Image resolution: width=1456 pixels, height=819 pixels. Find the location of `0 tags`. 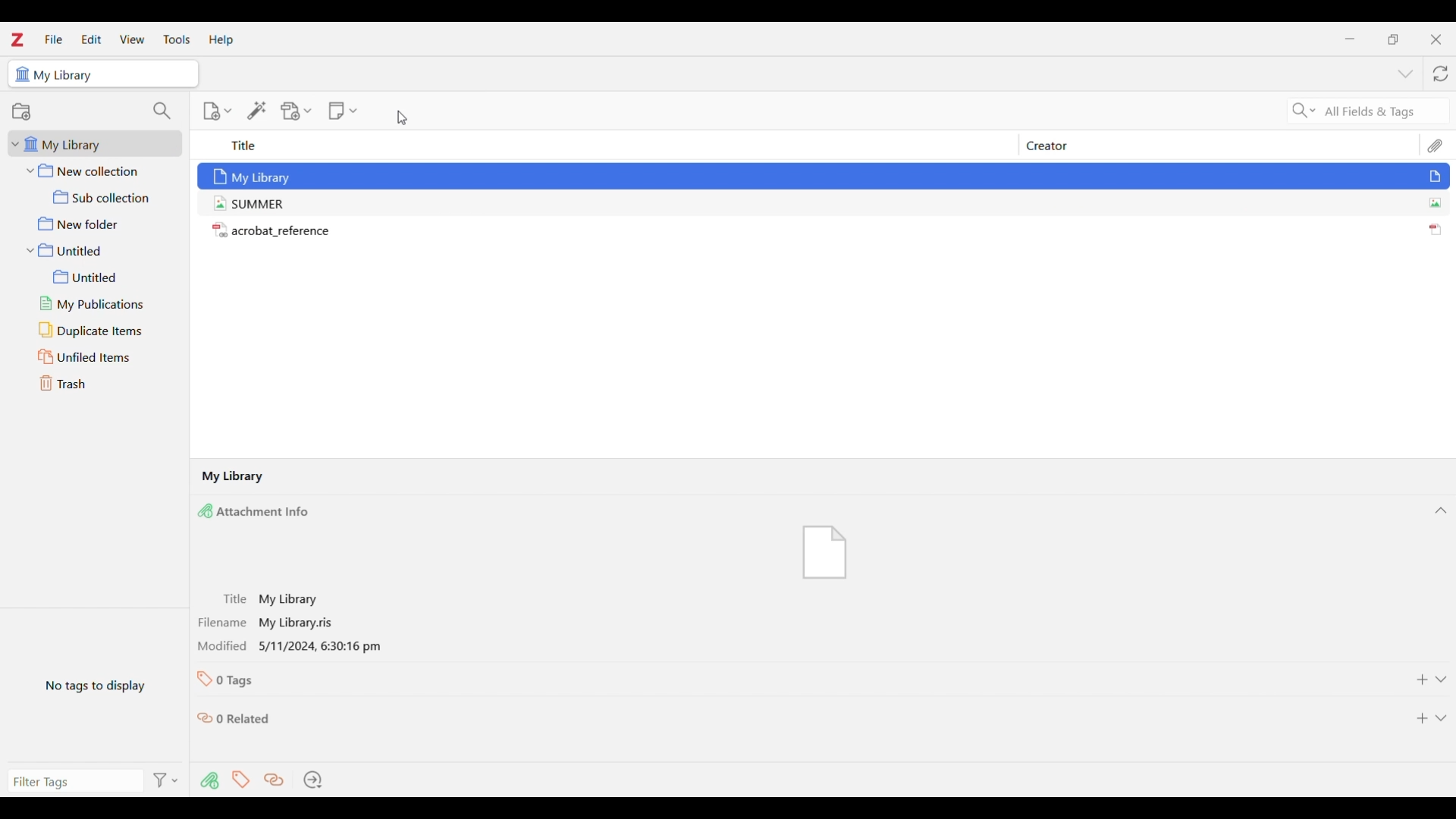

0 tags is located at coordinates (229, 679).